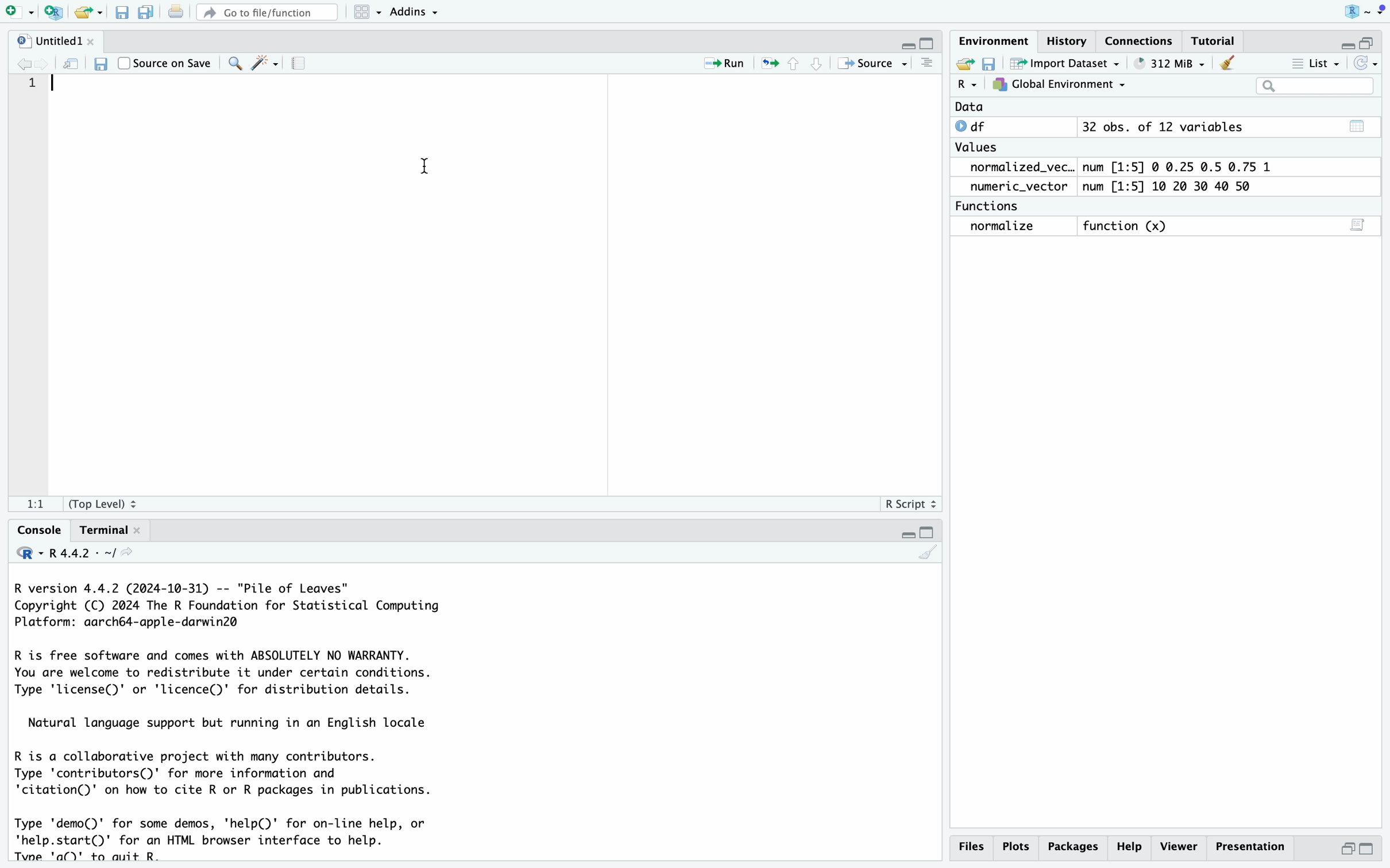 This screenshot has height=868, width=1390. I want to click on Clear console, so click(1230, 61).